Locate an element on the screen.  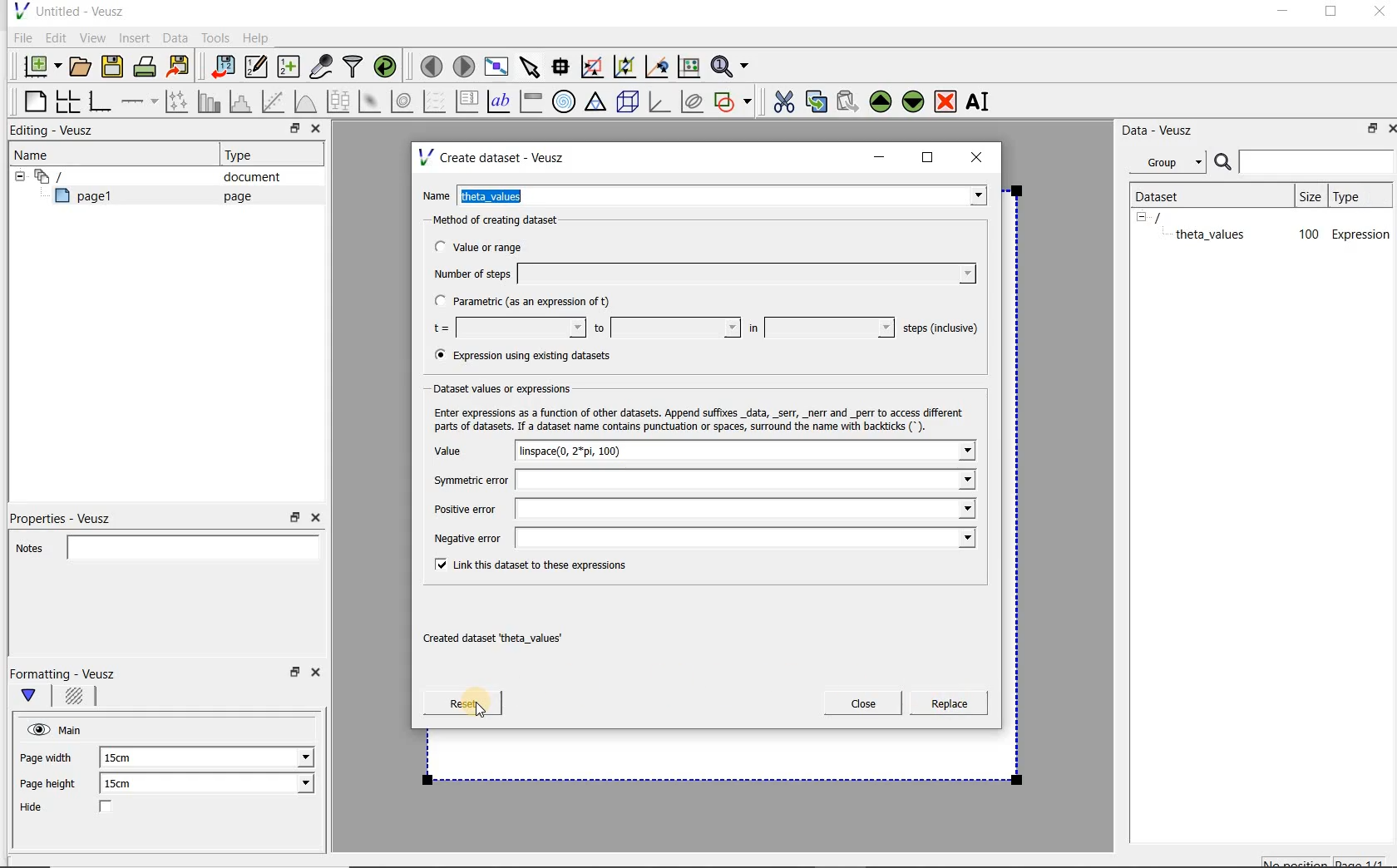
Document widget is located at coordinates (78, 176).